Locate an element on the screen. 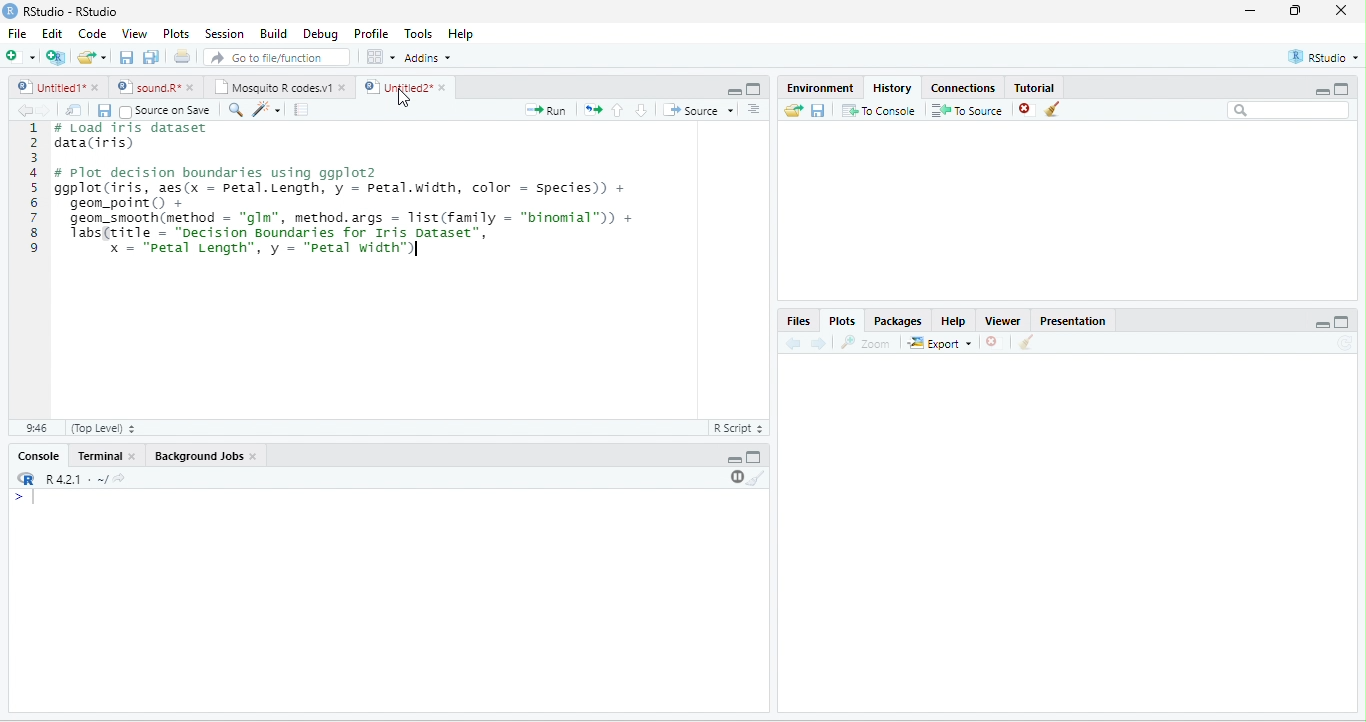  Export is located at coordinates (940, 344).